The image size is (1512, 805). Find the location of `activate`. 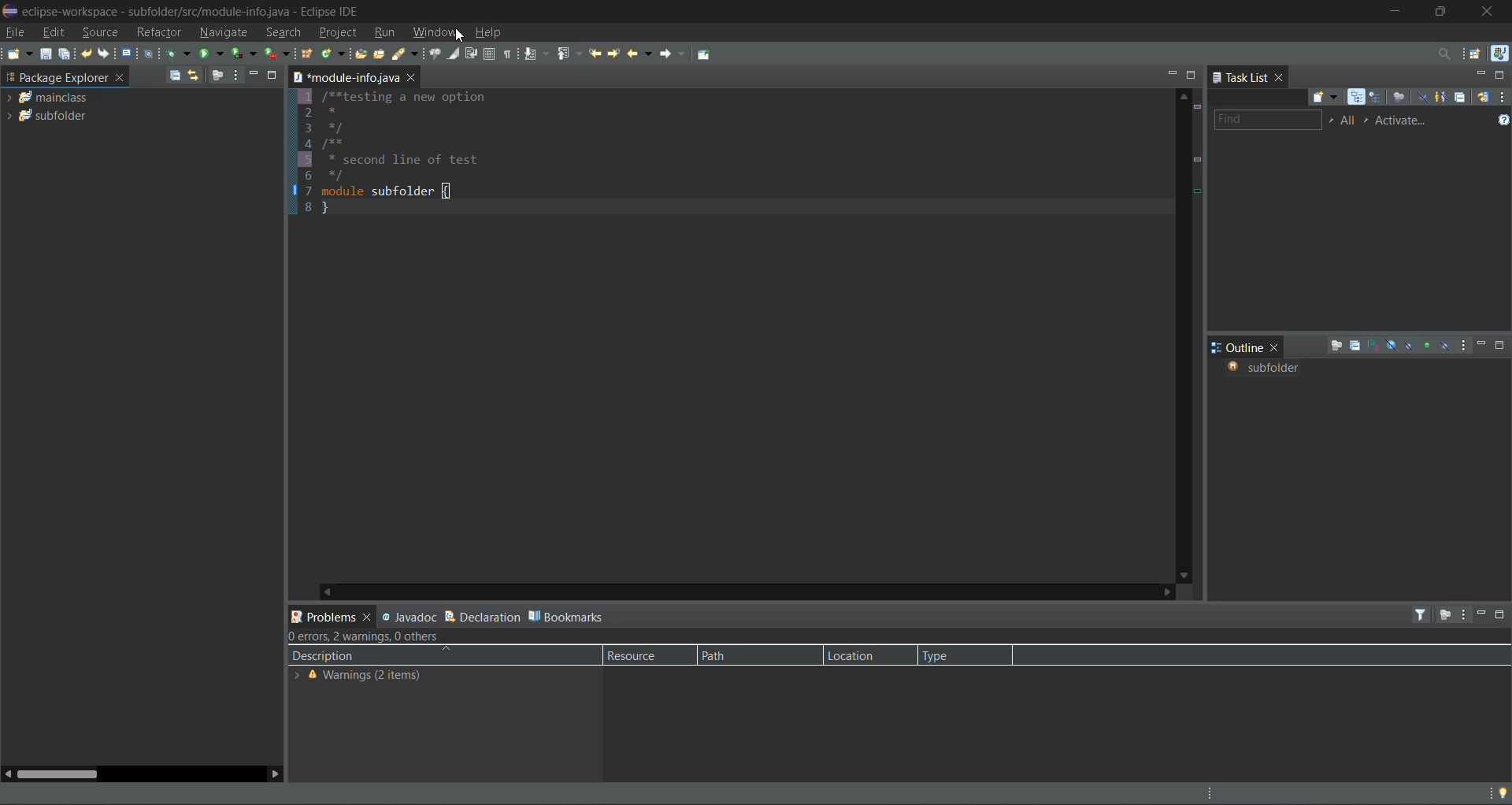

activate is located at coordinates (1411, 121).